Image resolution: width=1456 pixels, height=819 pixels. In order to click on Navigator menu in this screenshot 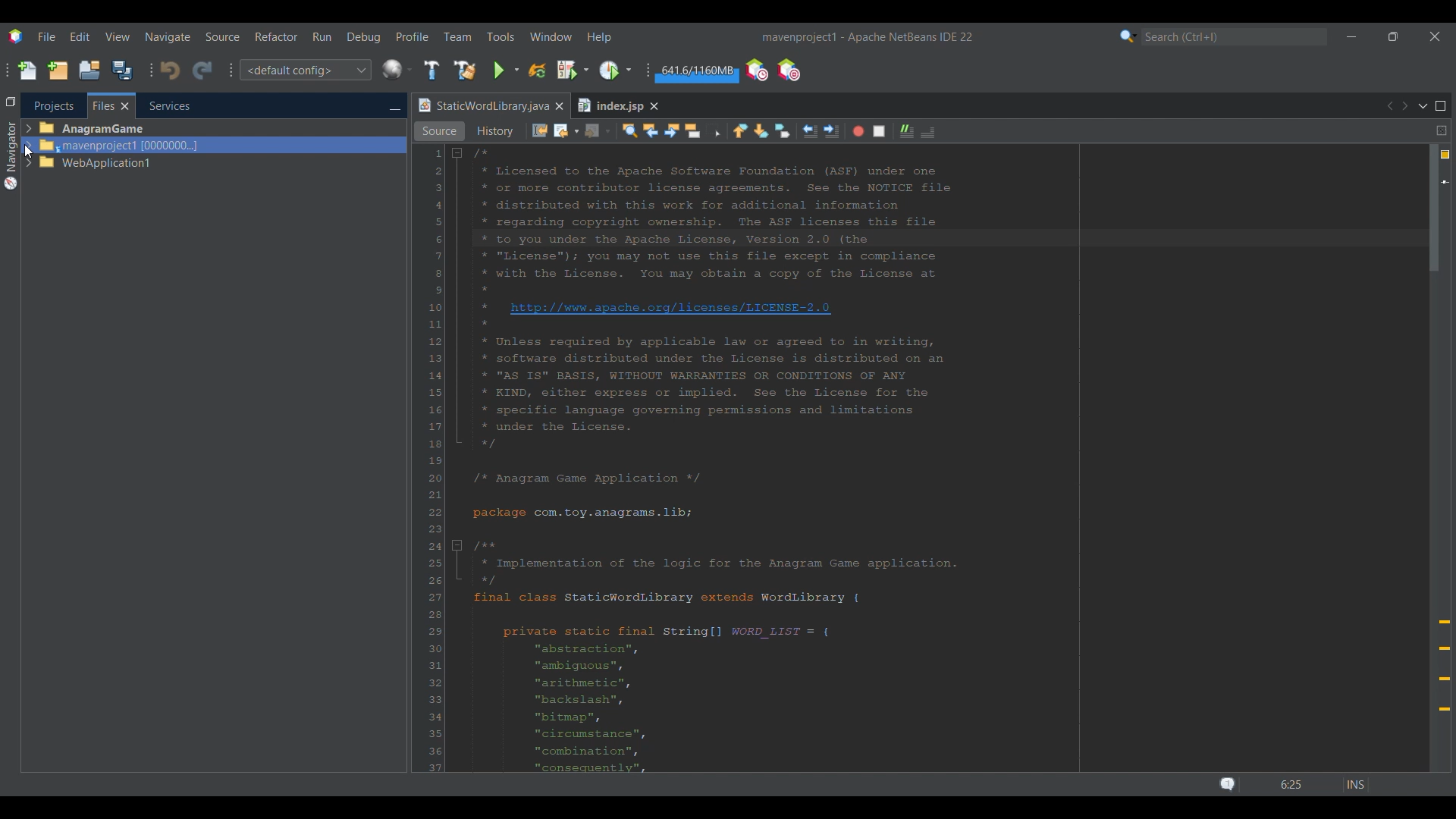, I will do `click(11, 155)`.